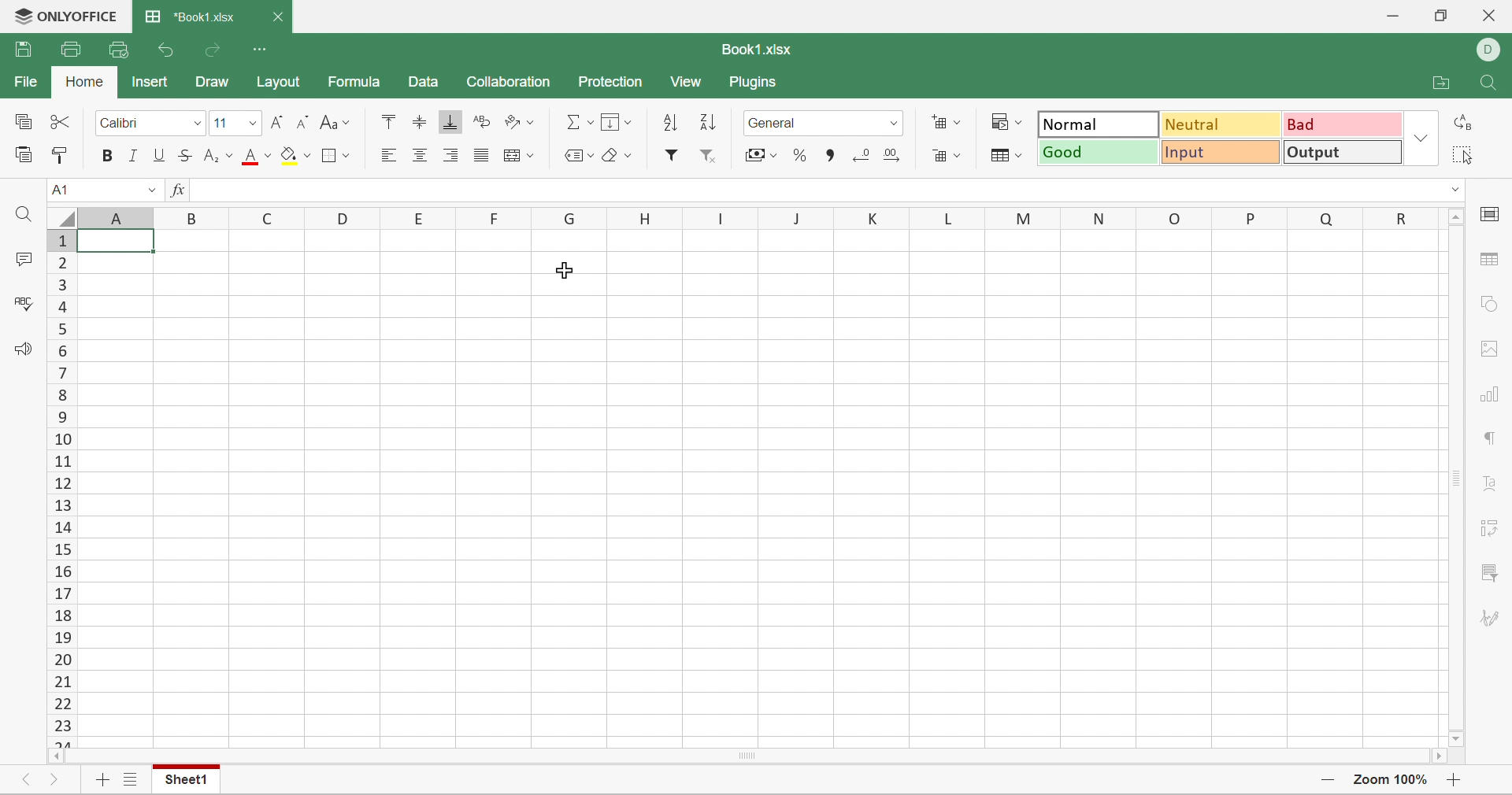  I want to click on Close, so click(1488, 15).